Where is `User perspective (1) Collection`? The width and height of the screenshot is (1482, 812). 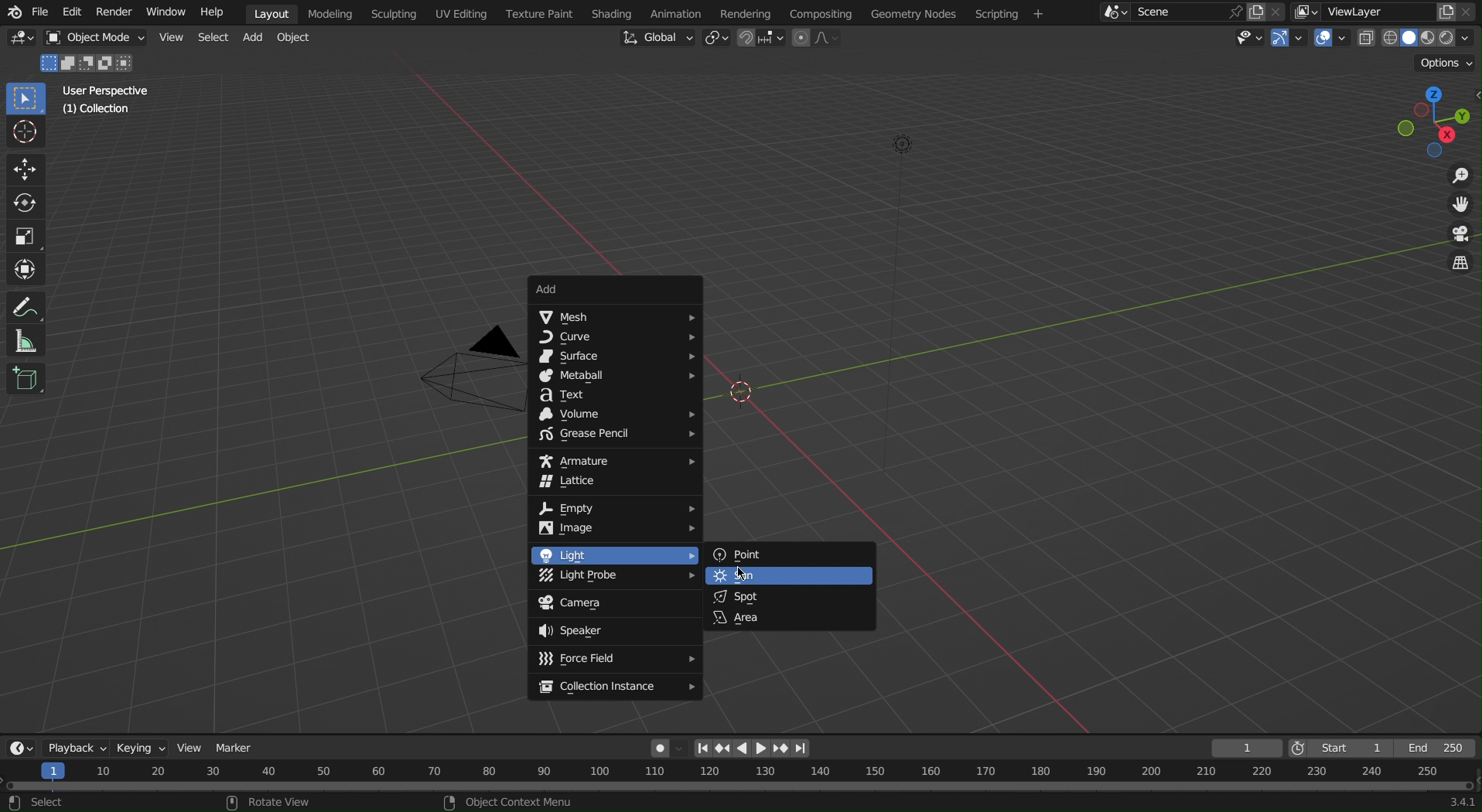
User perspective (1) Collection is located at coordinates (104, 99).